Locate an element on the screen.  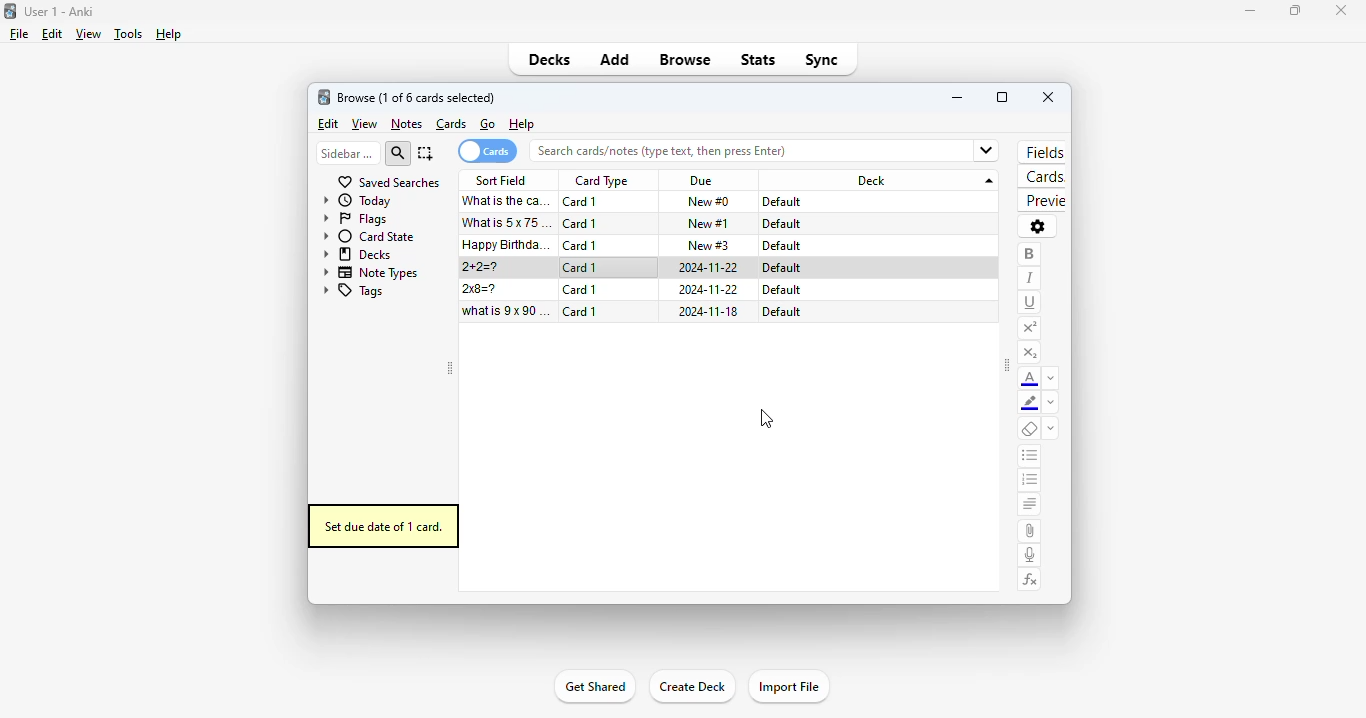
today is located at coordinates (358, 201).